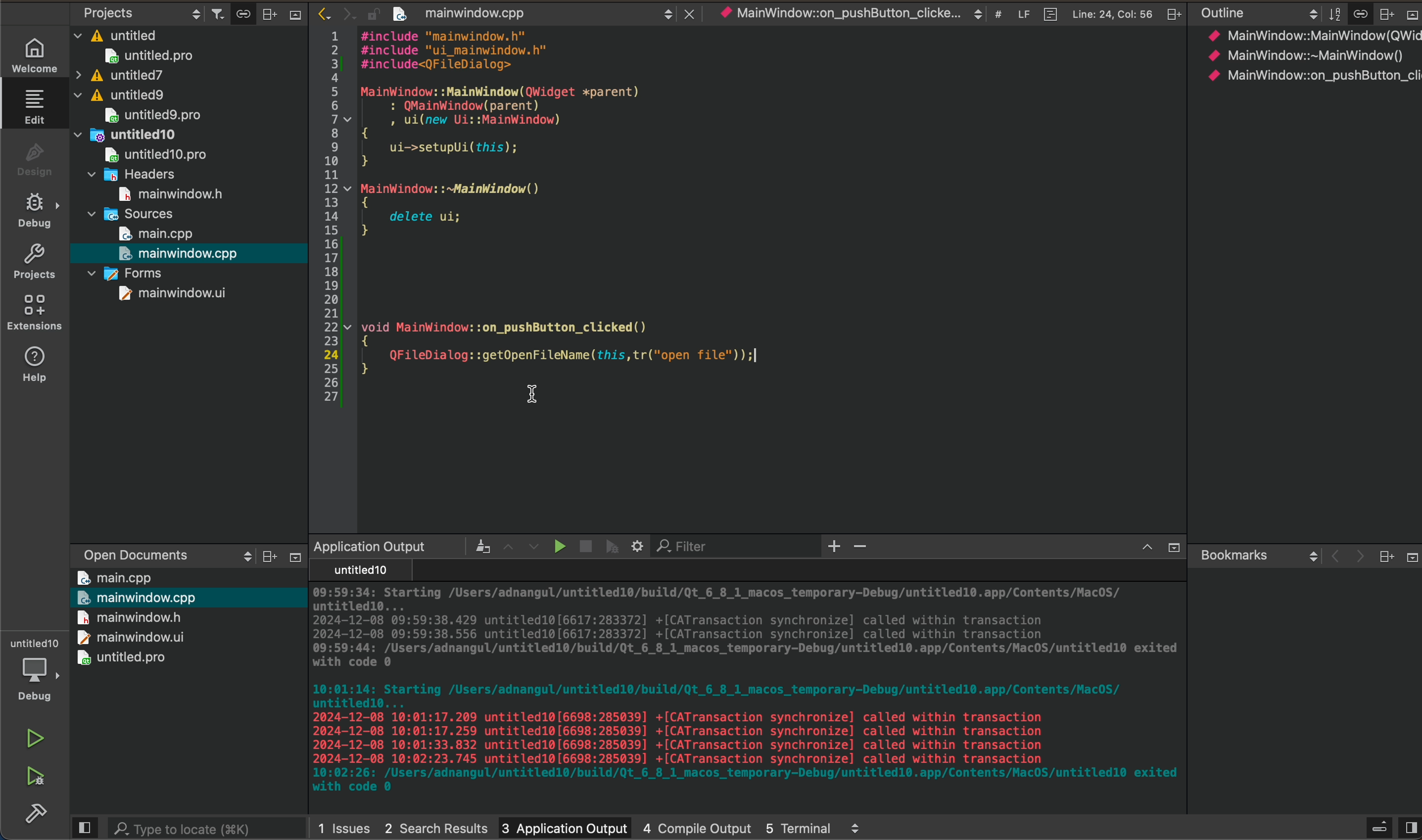  I want to click on debug, so click(613, 546).